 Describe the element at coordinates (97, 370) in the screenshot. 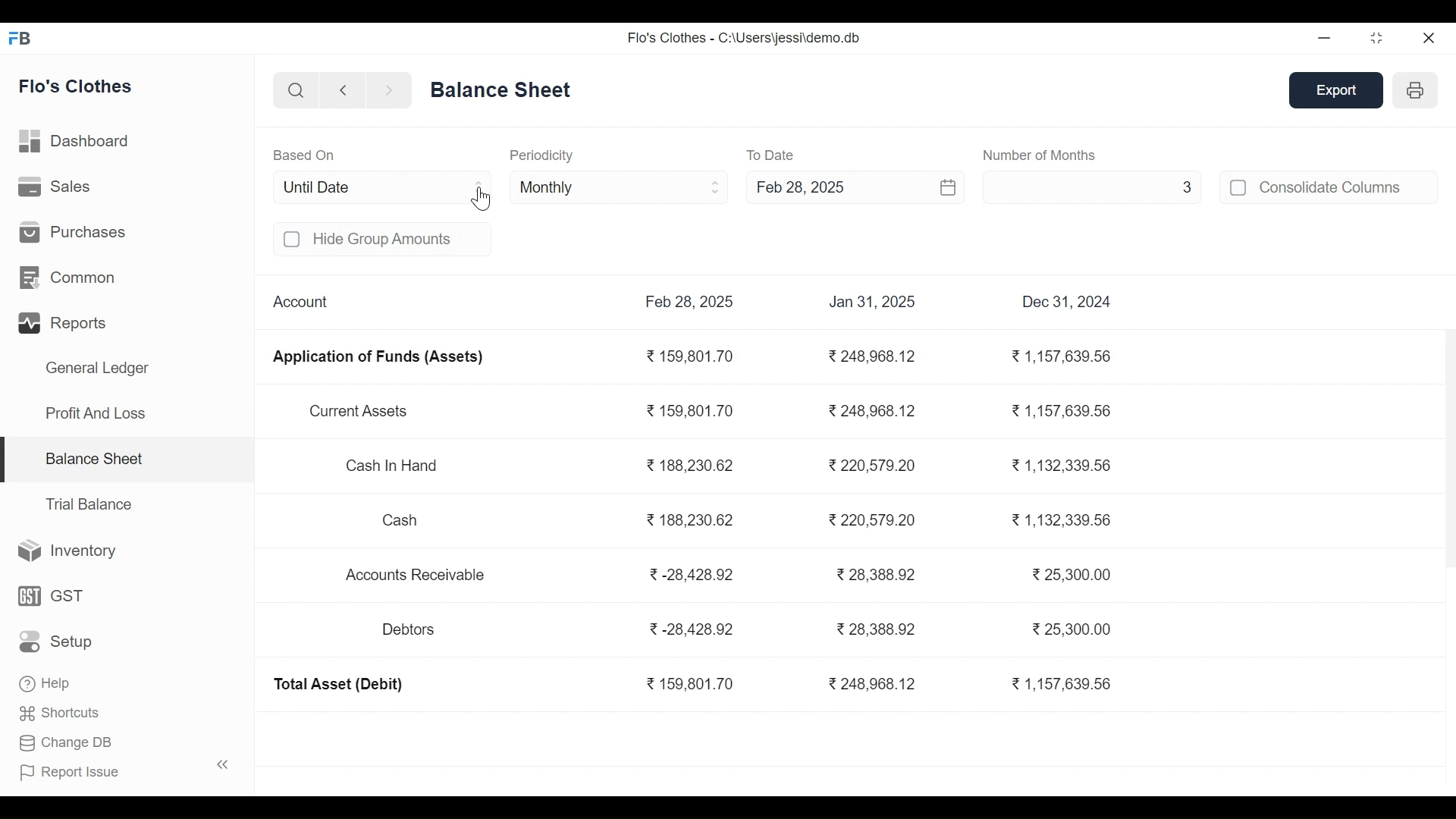

I see `General Ledger` at that location.